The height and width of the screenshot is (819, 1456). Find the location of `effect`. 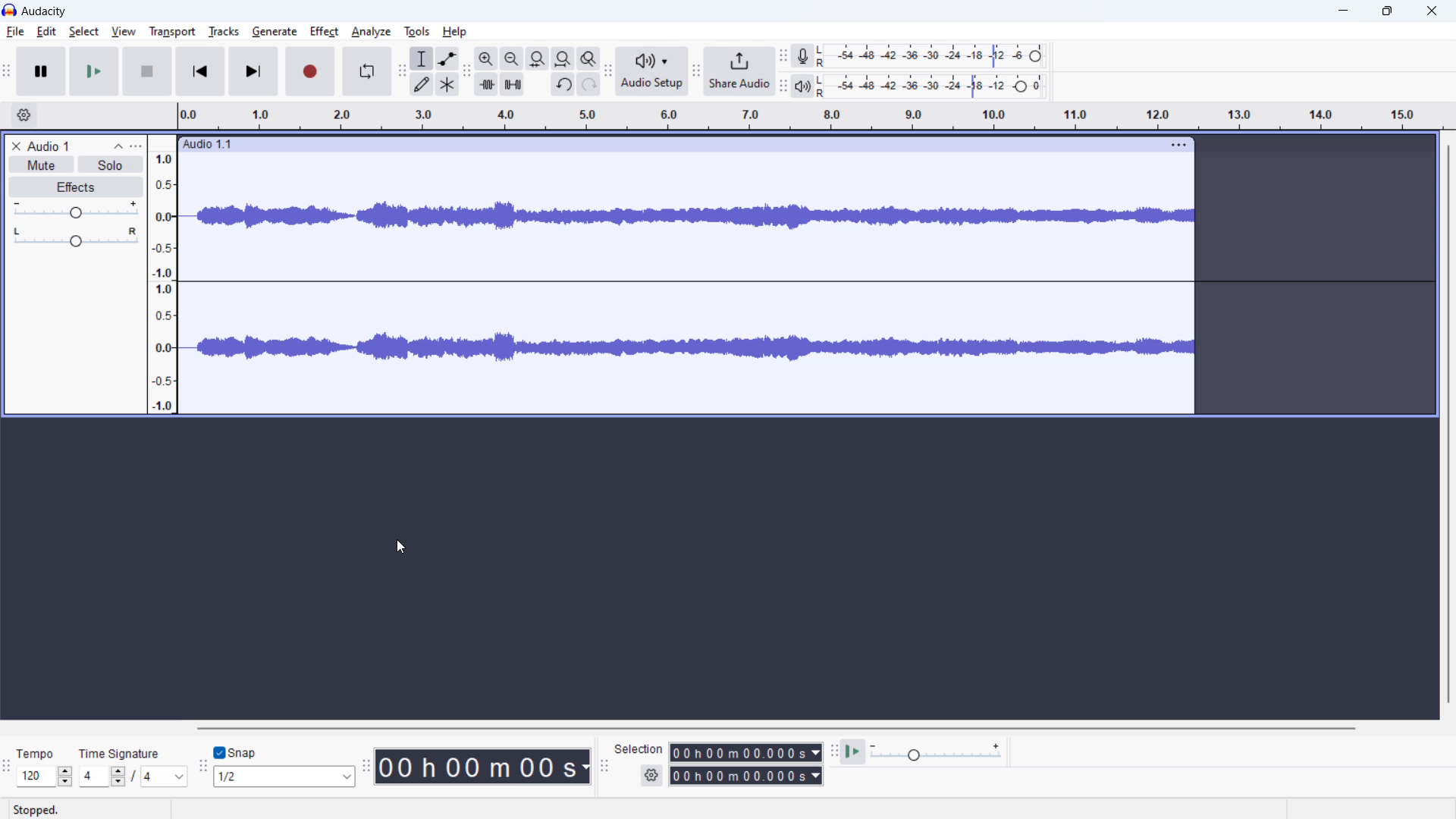

effect is located at coordinates (325, 32).